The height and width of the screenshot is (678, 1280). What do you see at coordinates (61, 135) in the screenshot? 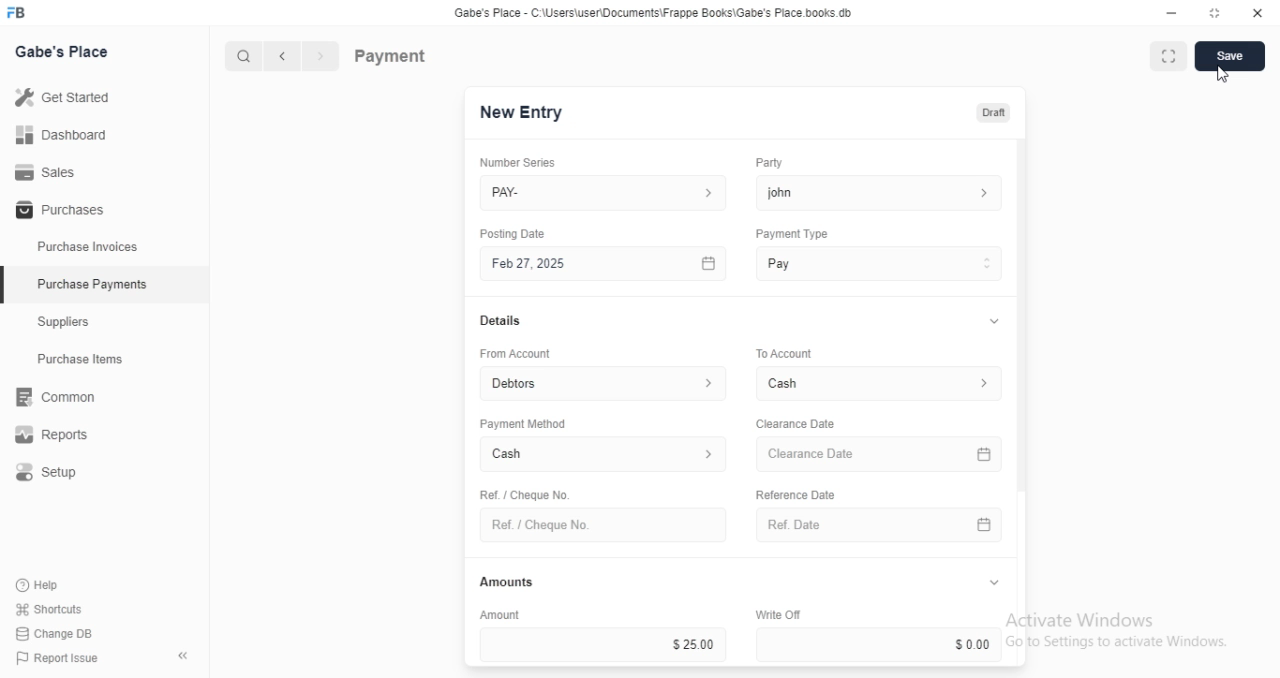
I see `Dashboard` at bounding box center [61, 135].